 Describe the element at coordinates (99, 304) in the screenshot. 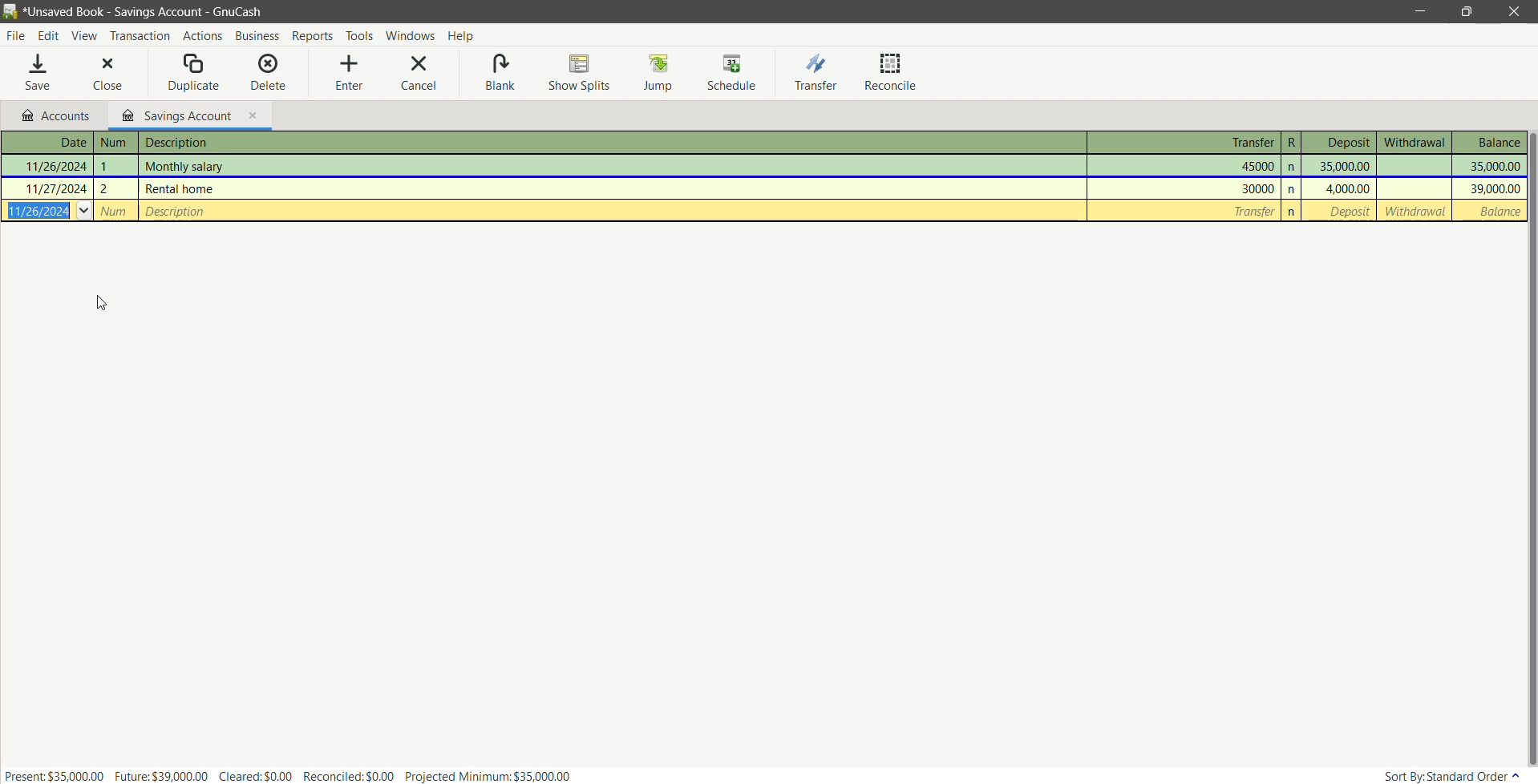

I see `Cursor` at that location.